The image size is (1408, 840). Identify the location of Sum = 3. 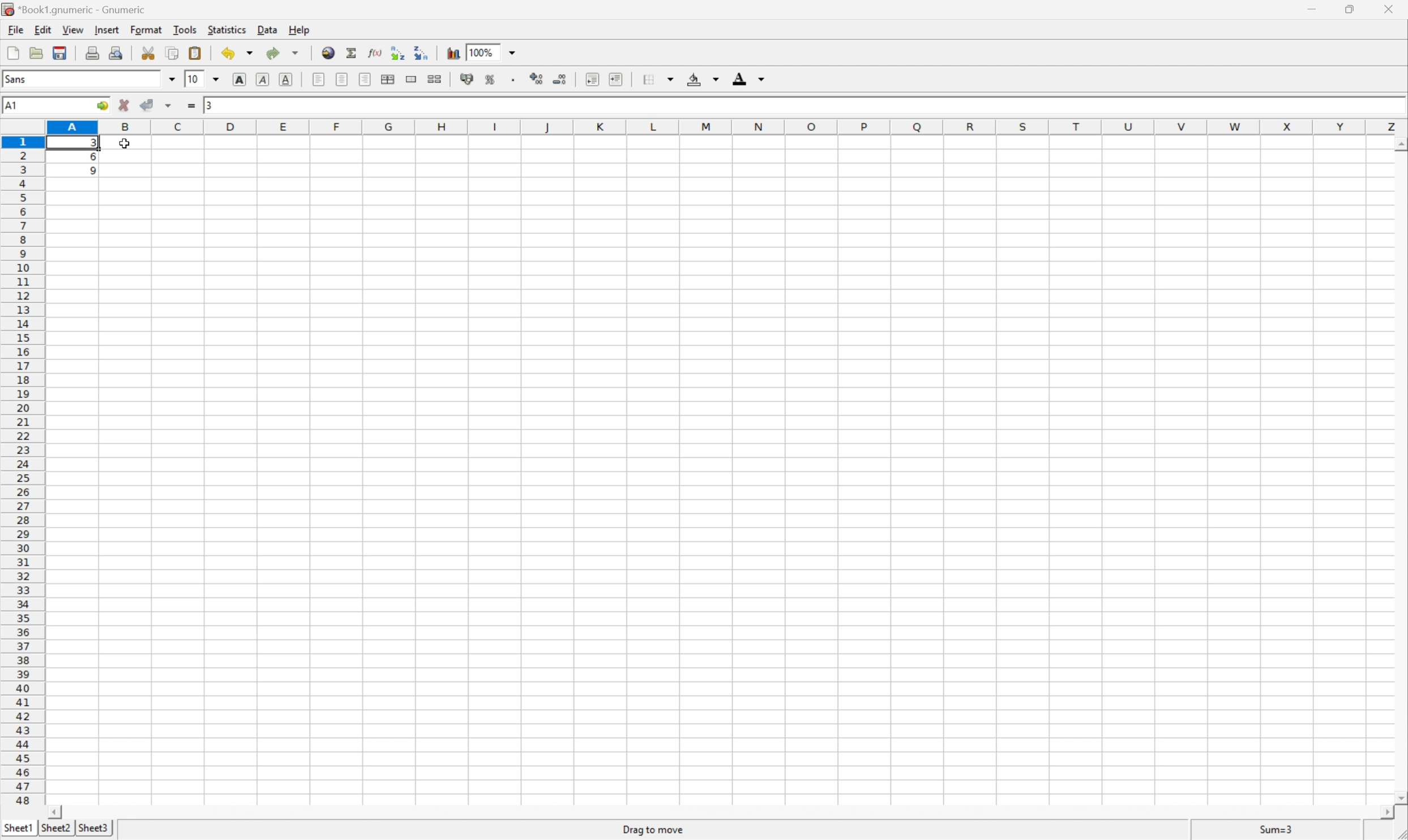
(1273, 829).